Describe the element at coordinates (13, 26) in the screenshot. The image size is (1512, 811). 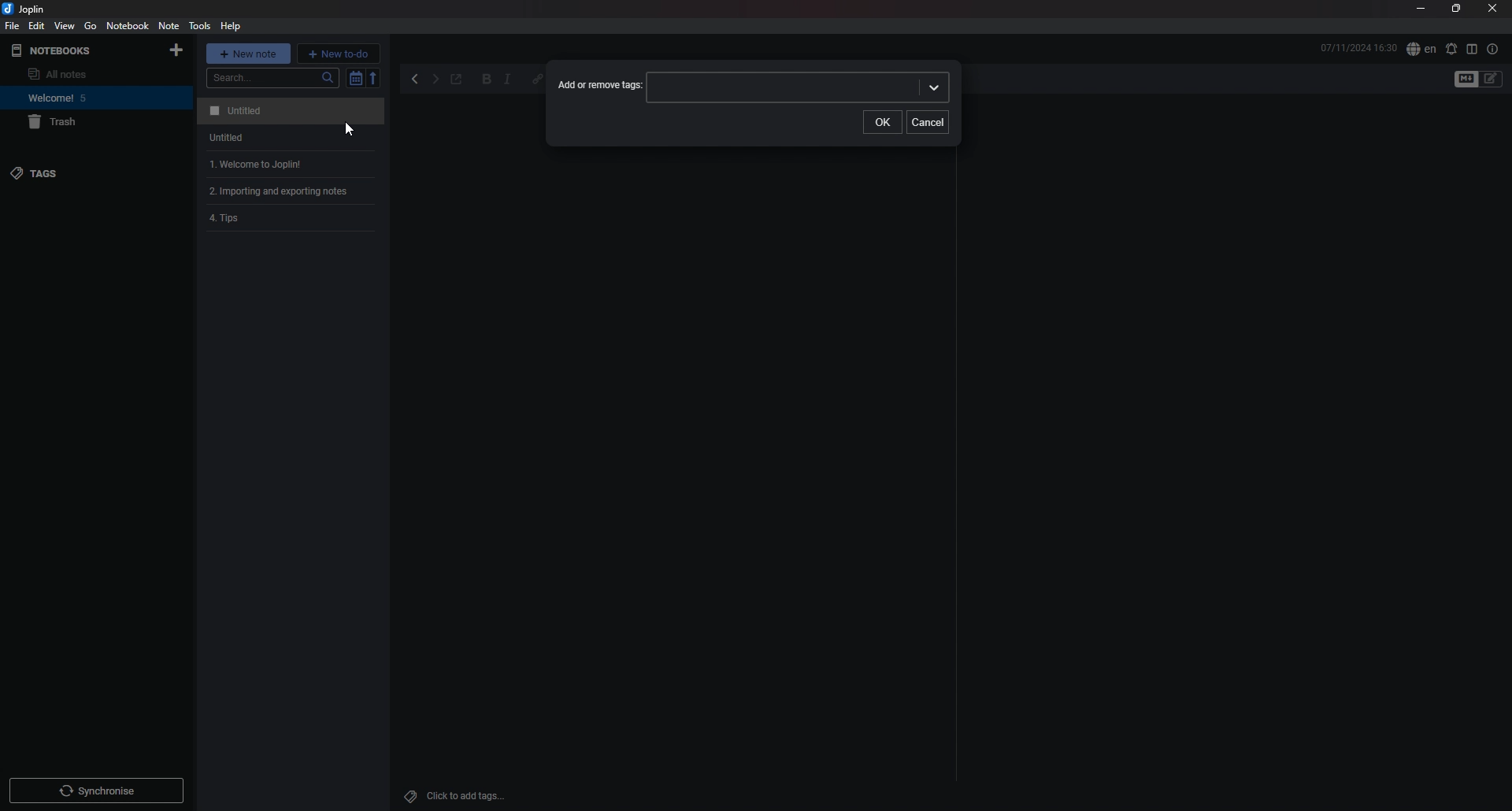
I see `file` at that location.